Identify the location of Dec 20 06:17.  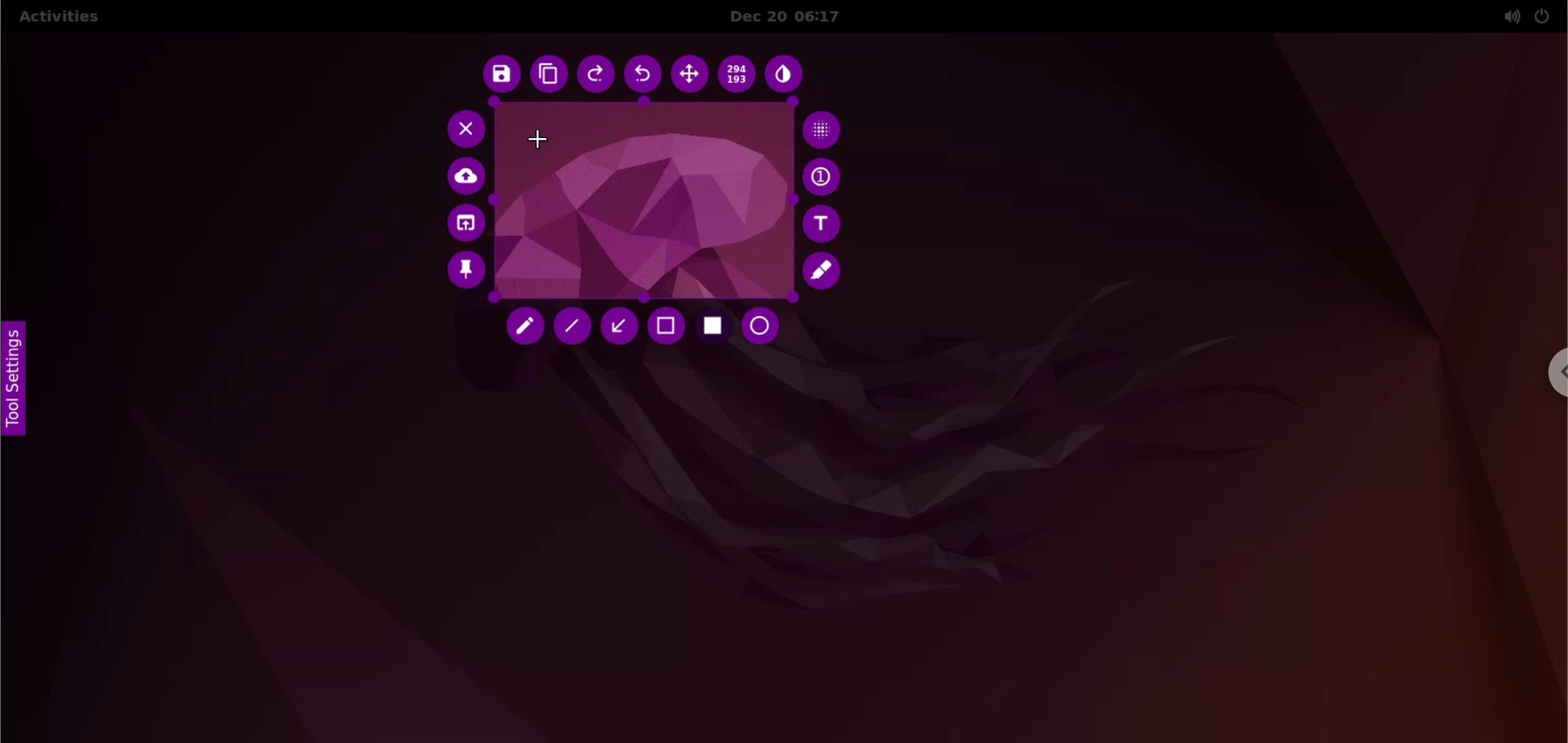
(797, 16).